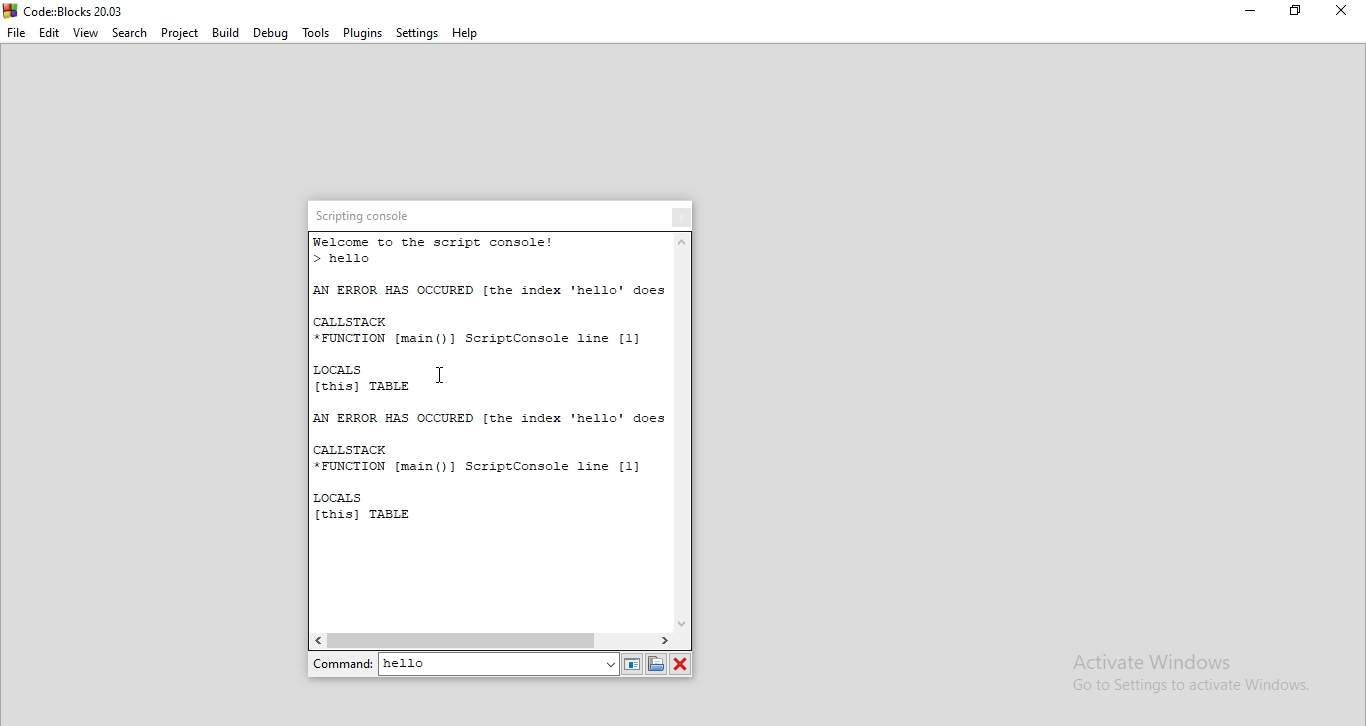 The image size is (1366, 726). I want to click on minimize, so click(1249, 13).